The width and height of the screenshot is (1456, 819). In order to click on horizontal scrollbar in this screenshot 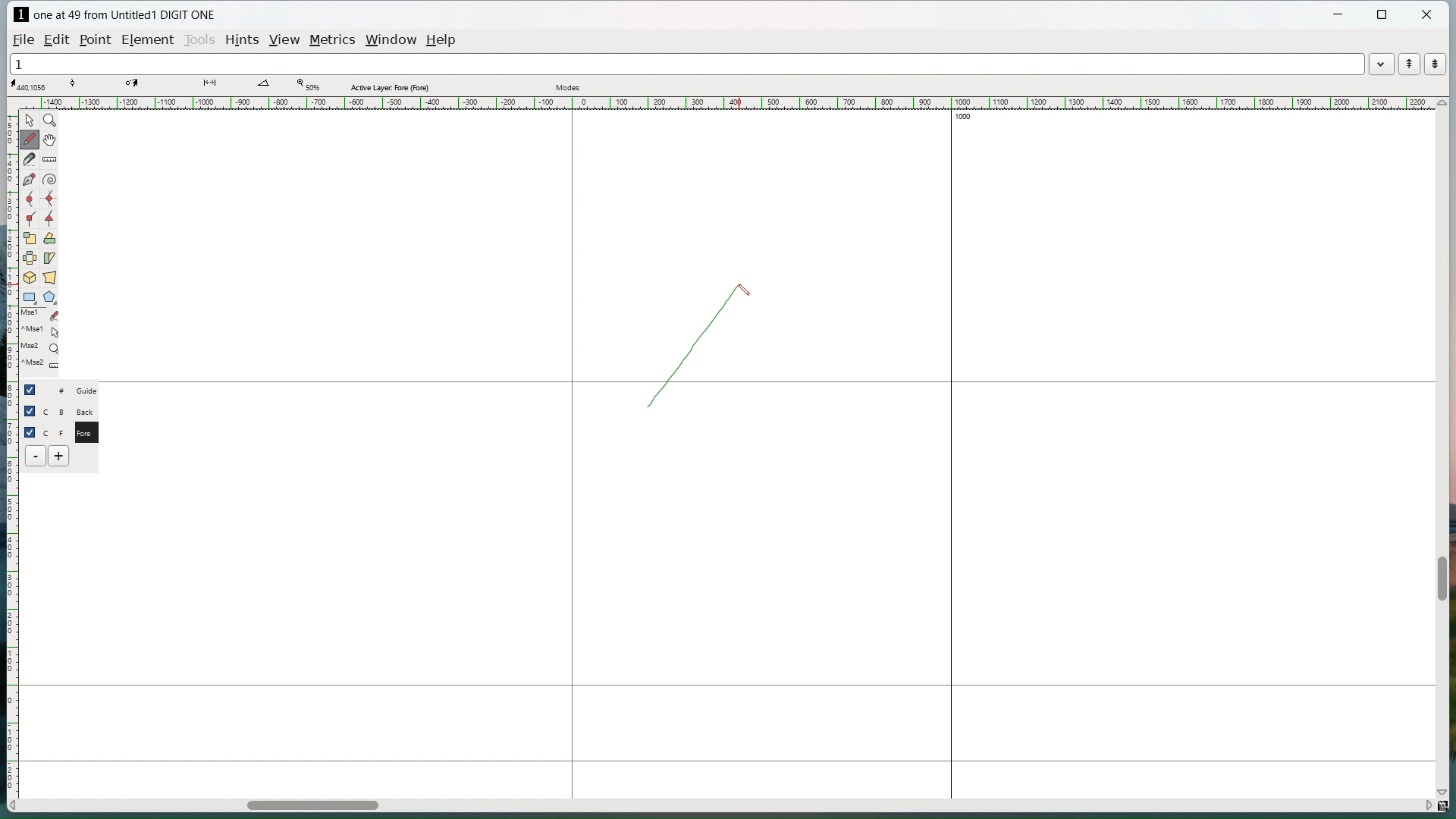, I will do `click(312, 808)`.